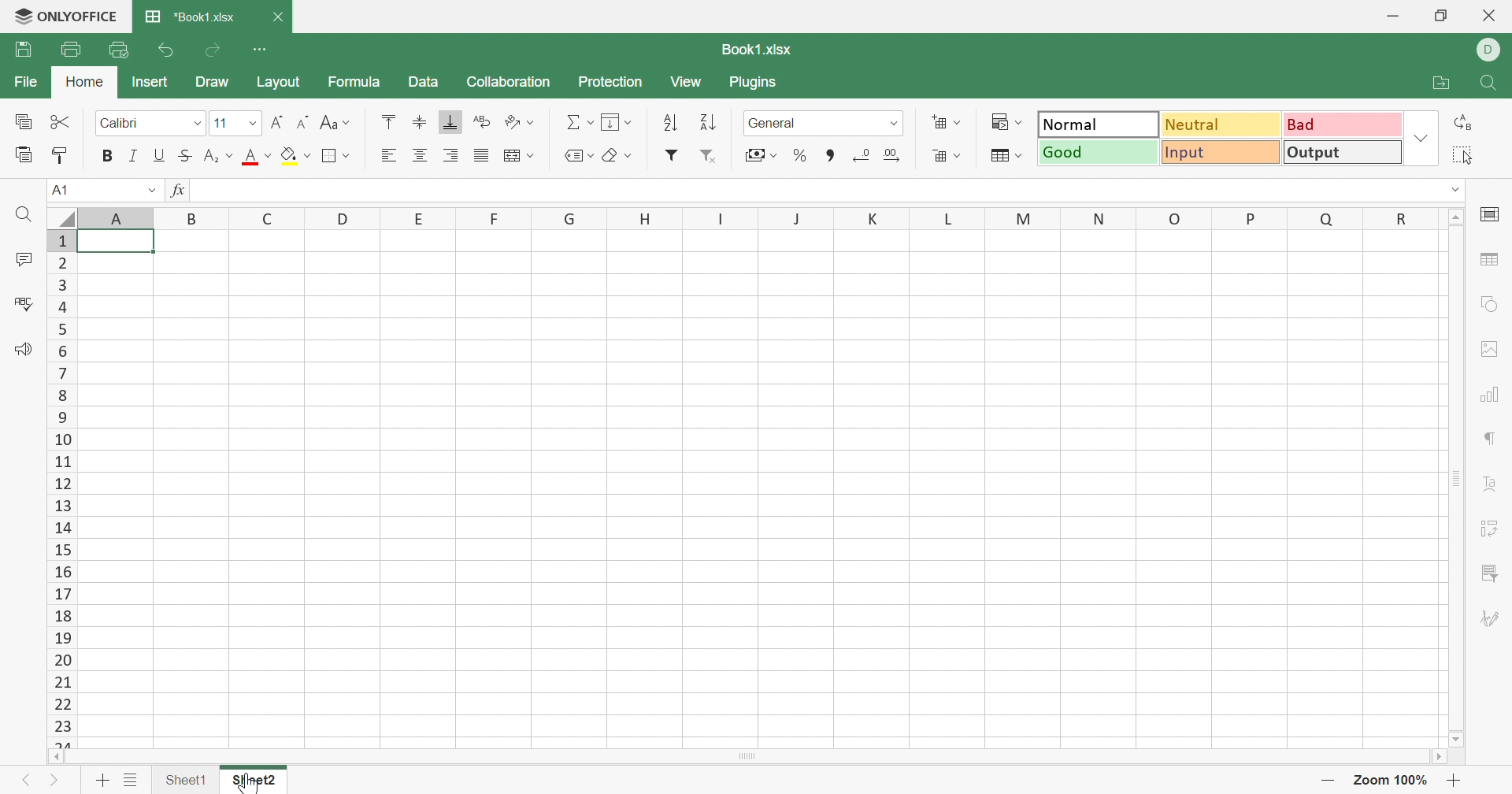 The height and width of the screenshot is (794, 1512). What do you see at coordinates (124, 248) in the screenshot?
I see `Cell A1 highlighted` at bounding box center [124, 248].